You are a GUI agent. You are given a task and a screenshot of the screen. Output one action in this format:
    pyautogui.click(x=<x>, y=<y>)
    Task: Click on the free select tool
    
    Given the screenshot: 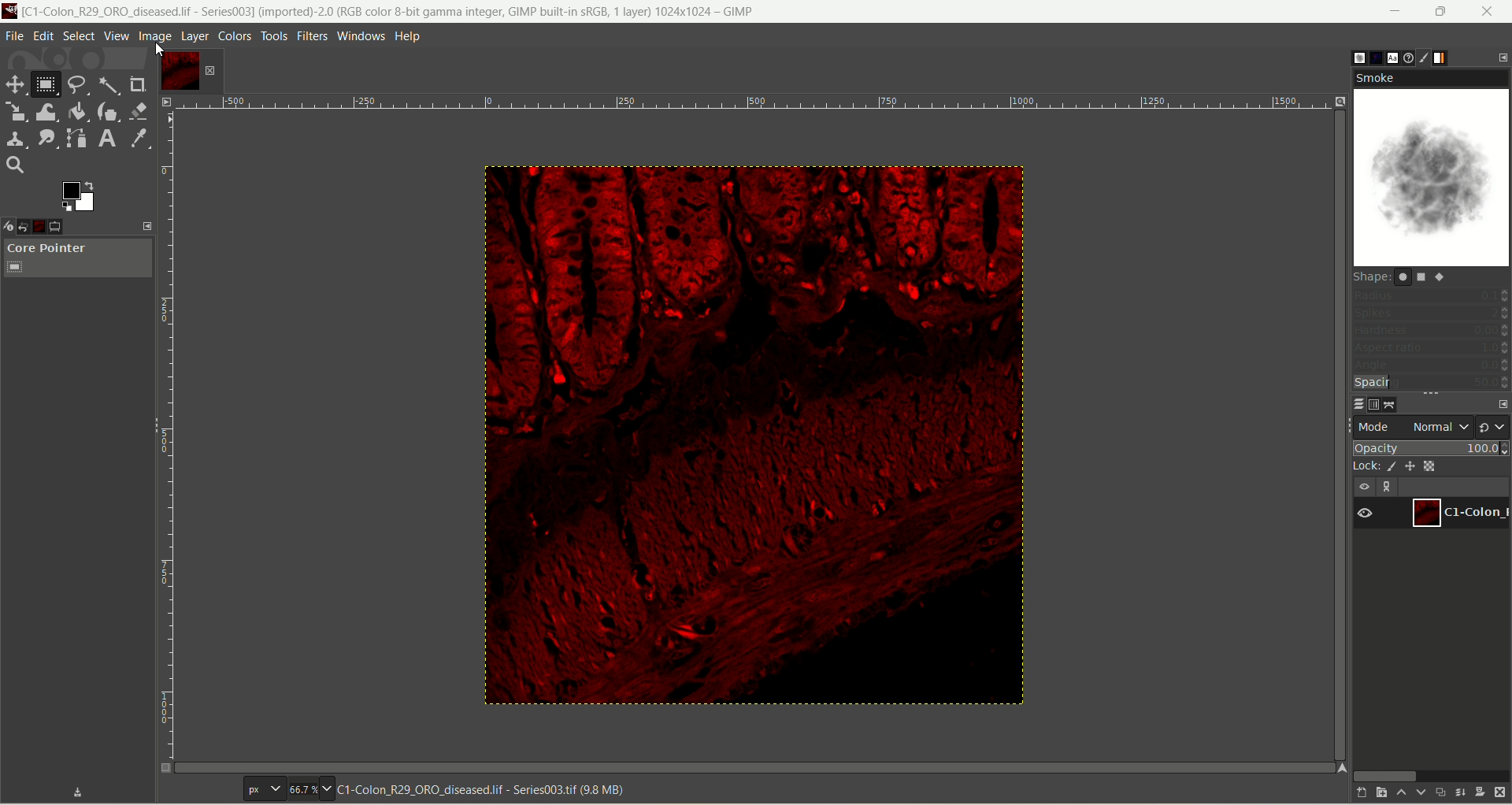 What is the action you would take?
    pyautogui.click(x=76, y=84)
    